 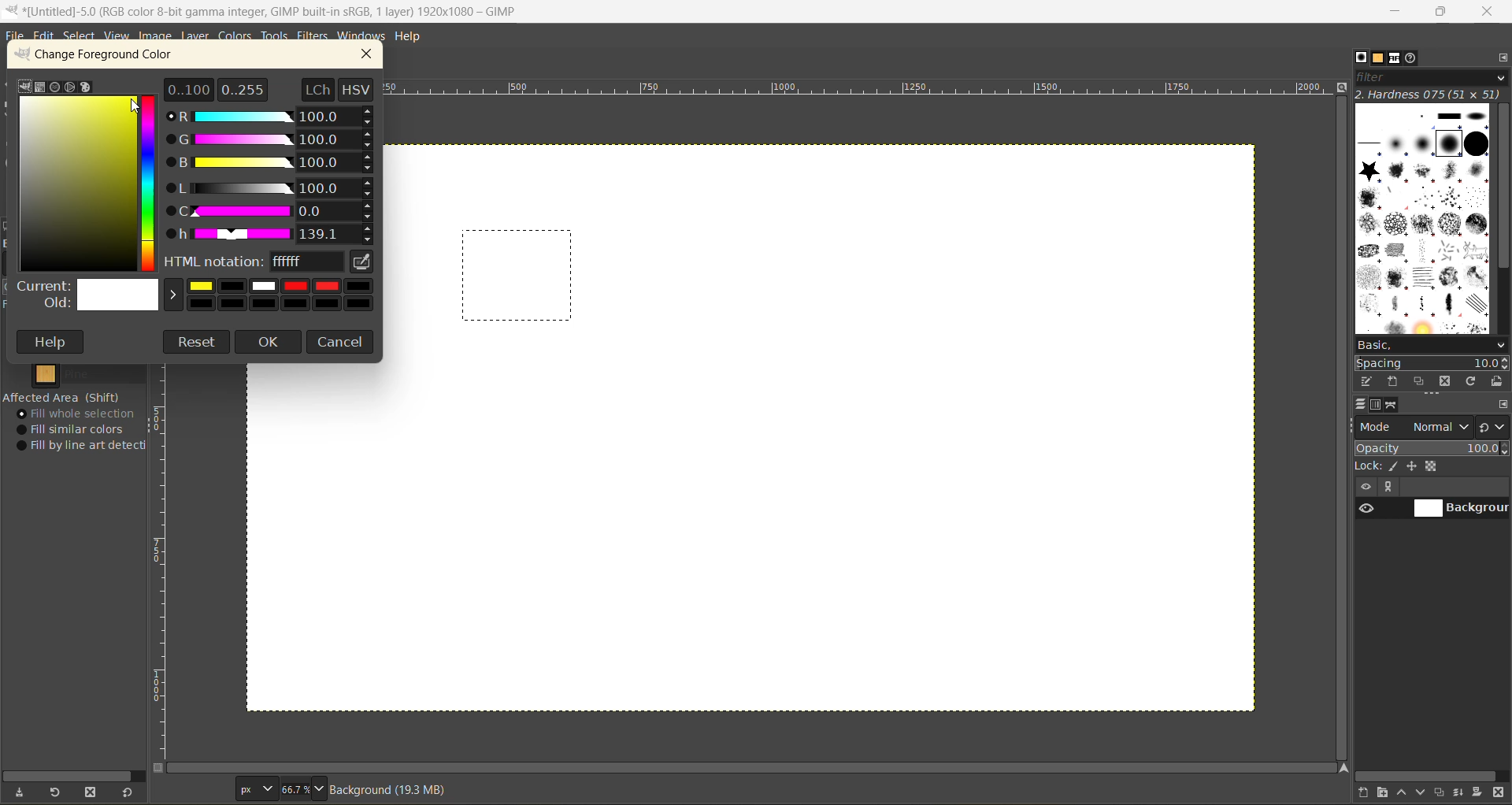 What do you see at coordinates (862, 91) in the screenshot?
I see `scale` at bounding box center [862, 91].